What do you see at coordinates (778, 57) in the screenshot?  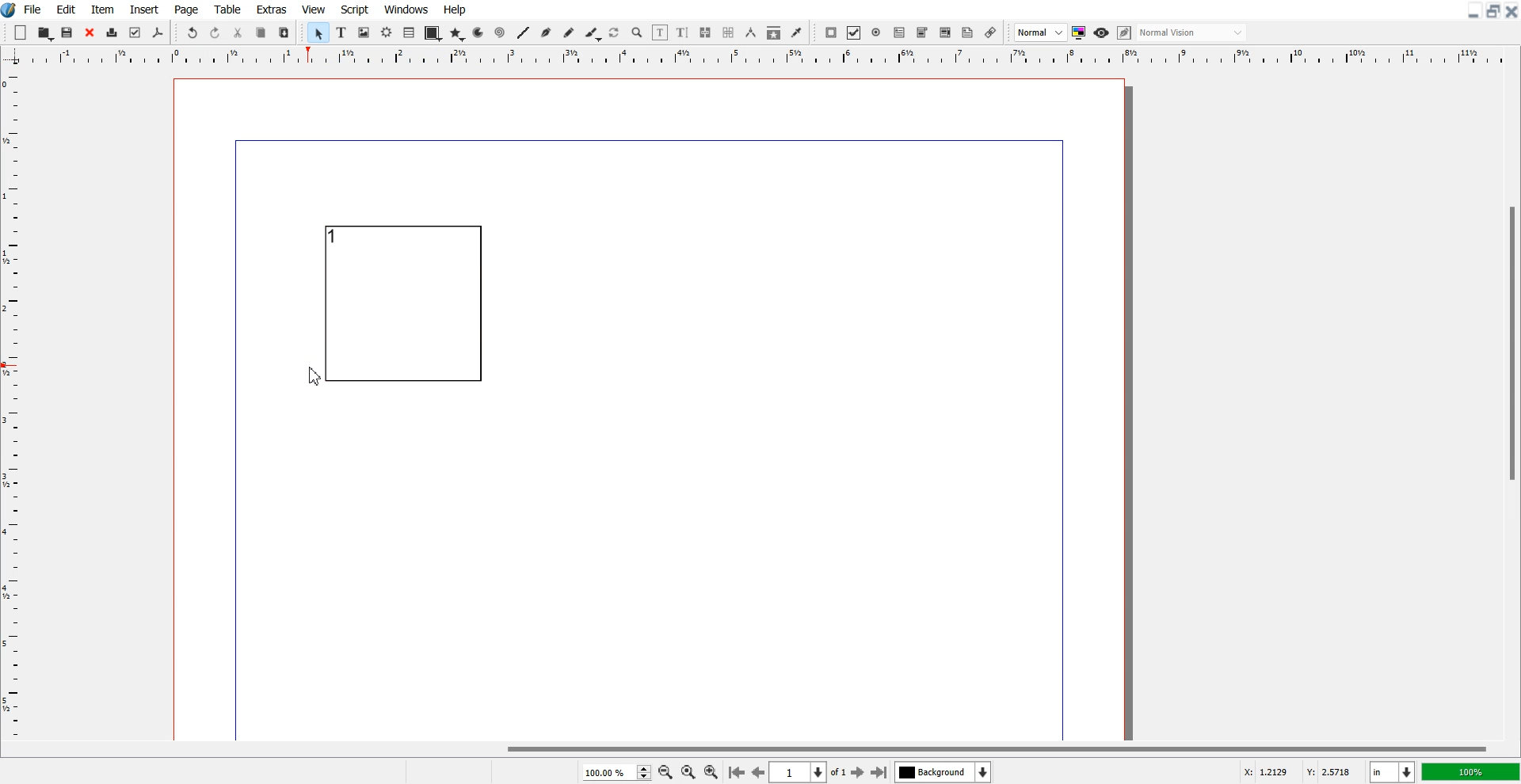 I see `Horizontal Scale` at bounding box center [778, 57].